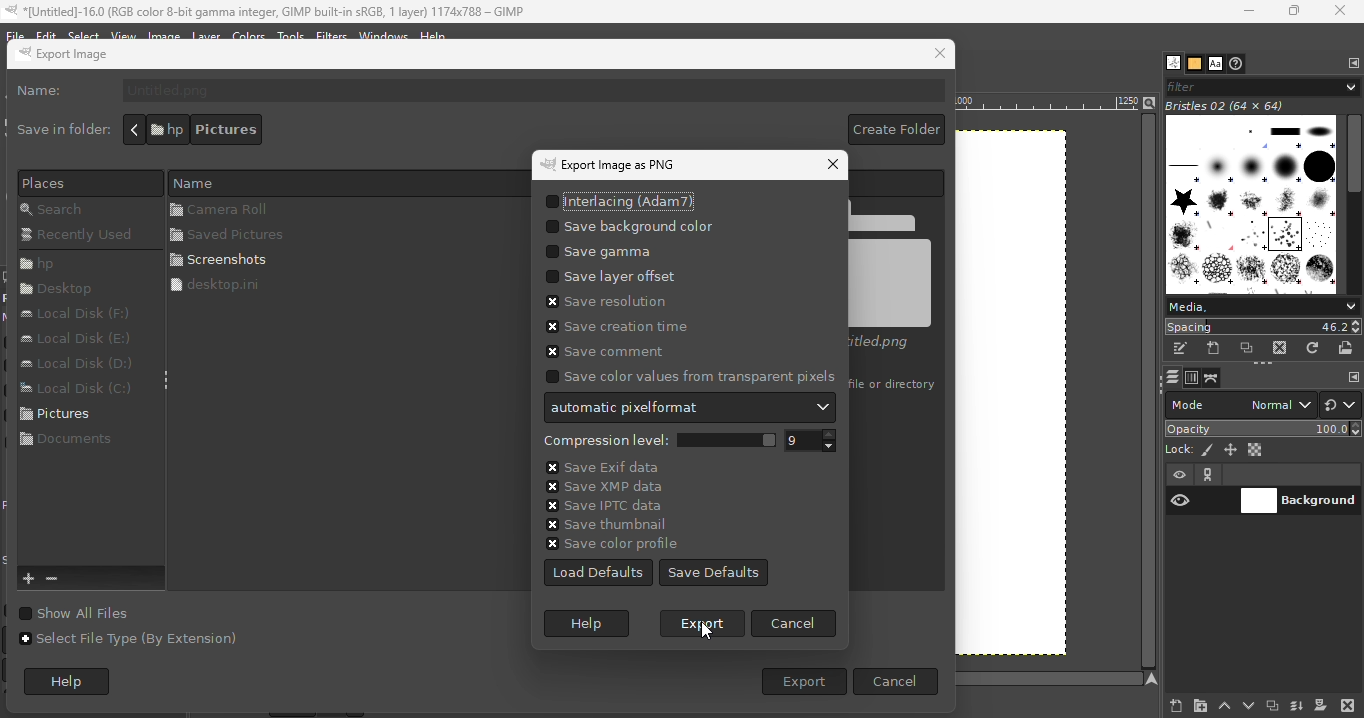 This screenshot has width=1364, height=718. What do you see at coordinates (1348, 704) in the screenshot?
I see `Delete this layer` at bounding box center [1348, 704].